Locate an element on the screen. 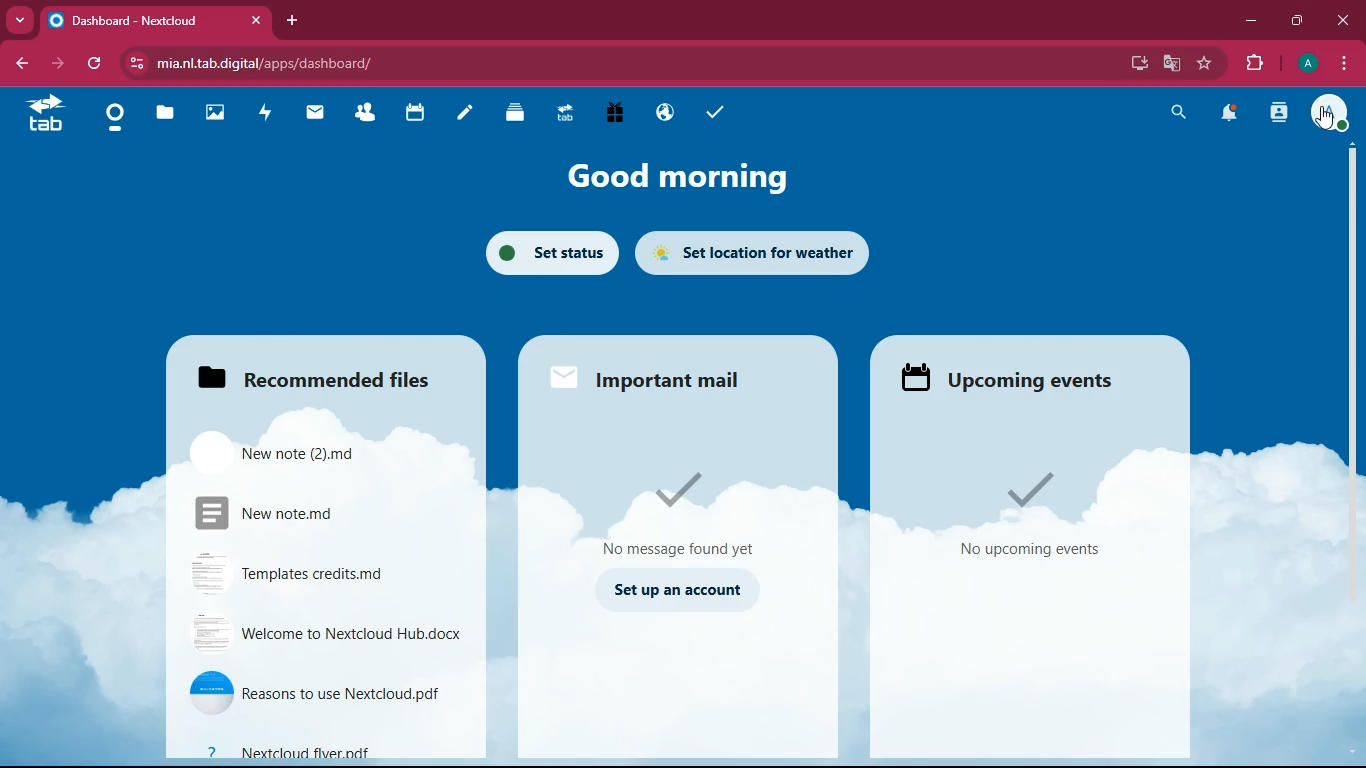  minimize is located at coordinates (1253, 24).